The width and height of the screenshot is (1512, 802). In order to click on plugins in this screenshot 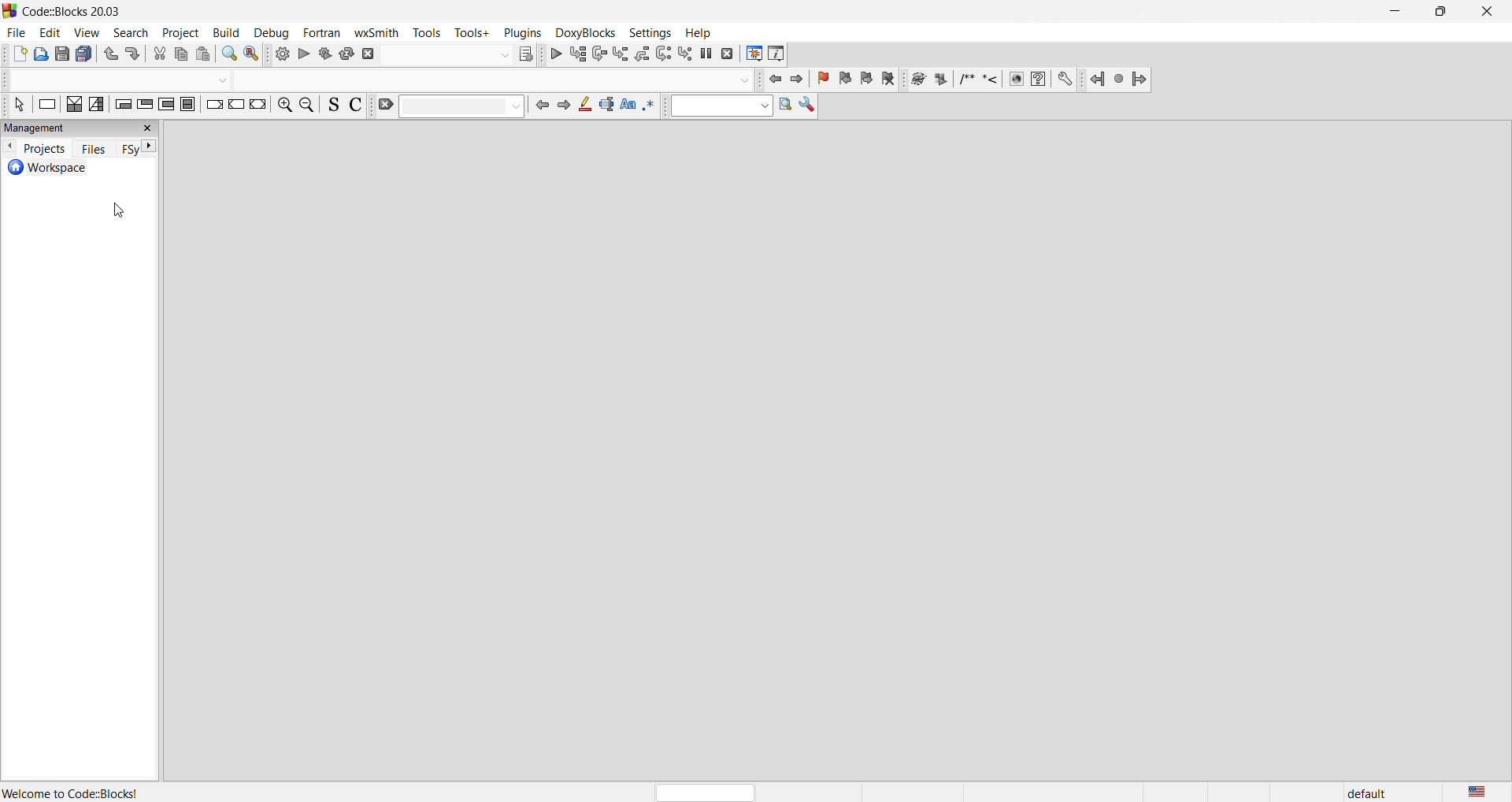, I will do `click(524, 32)`.